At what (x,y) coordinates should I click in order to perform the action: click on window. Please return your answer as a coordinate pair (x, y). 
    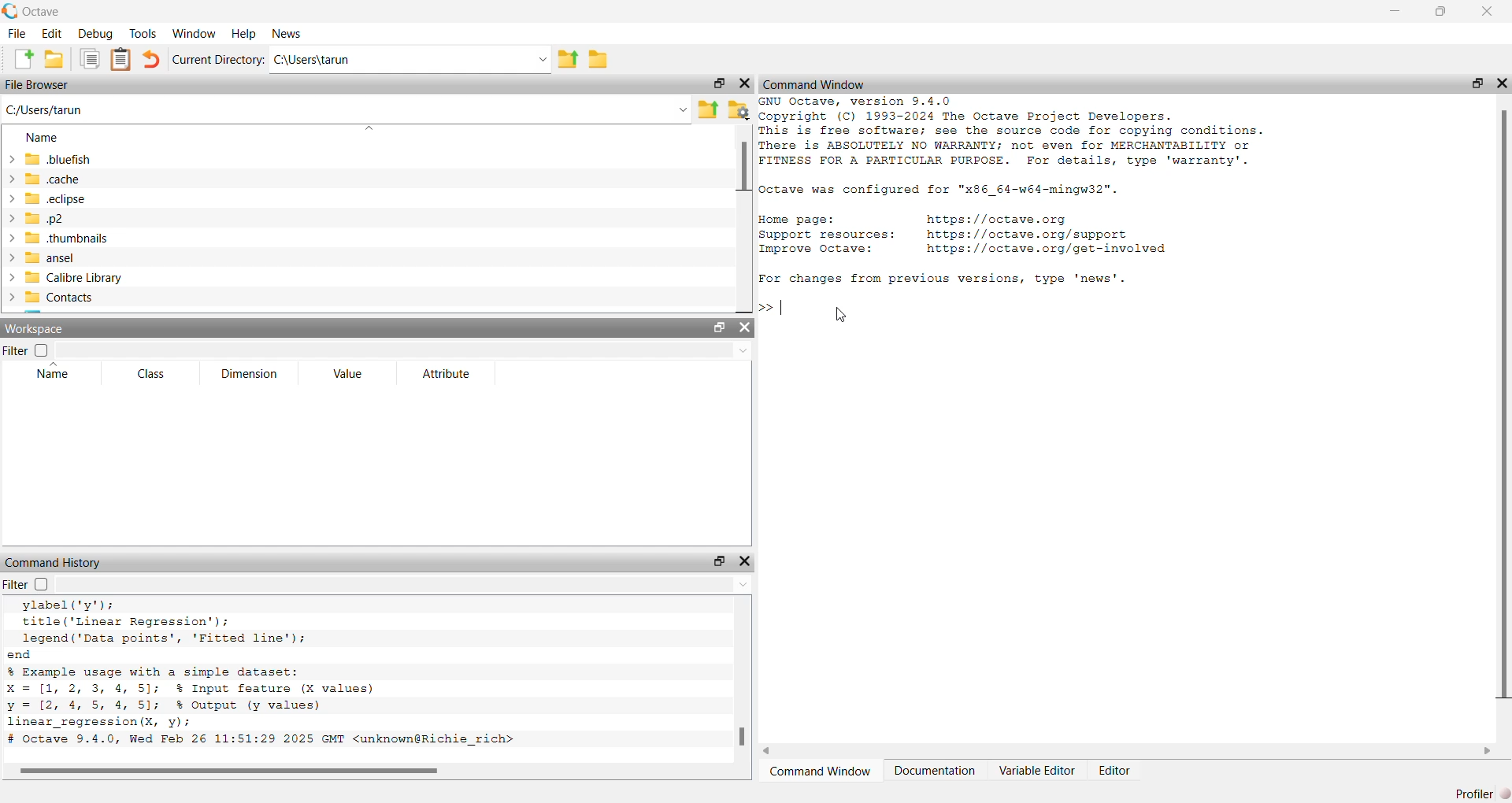
    Looking at the image, I should click on (196, 33).